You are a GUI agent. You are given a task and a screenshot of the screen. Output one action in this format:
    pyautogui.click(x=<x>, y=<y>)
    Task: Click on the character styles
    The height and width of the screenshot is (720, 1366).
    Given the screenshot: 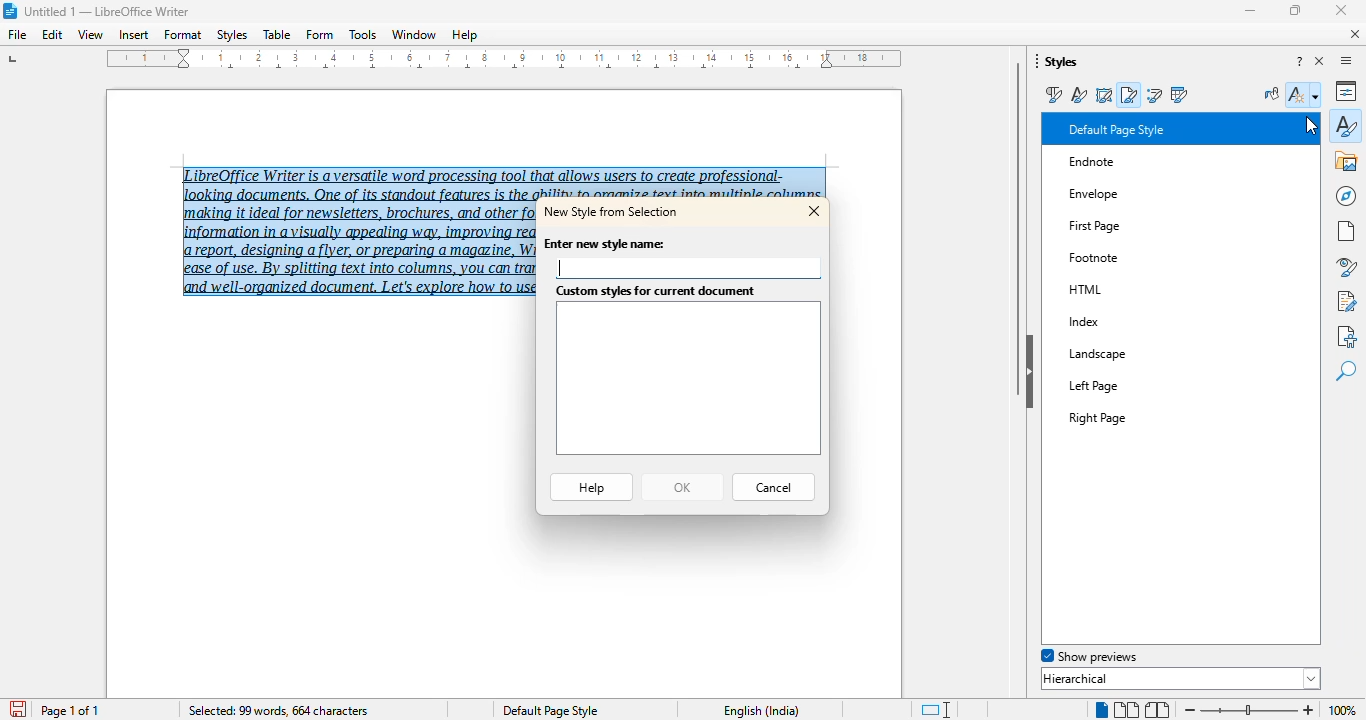 What is the action you would take?
    pyautogui.click(x=1080, y=95)
    